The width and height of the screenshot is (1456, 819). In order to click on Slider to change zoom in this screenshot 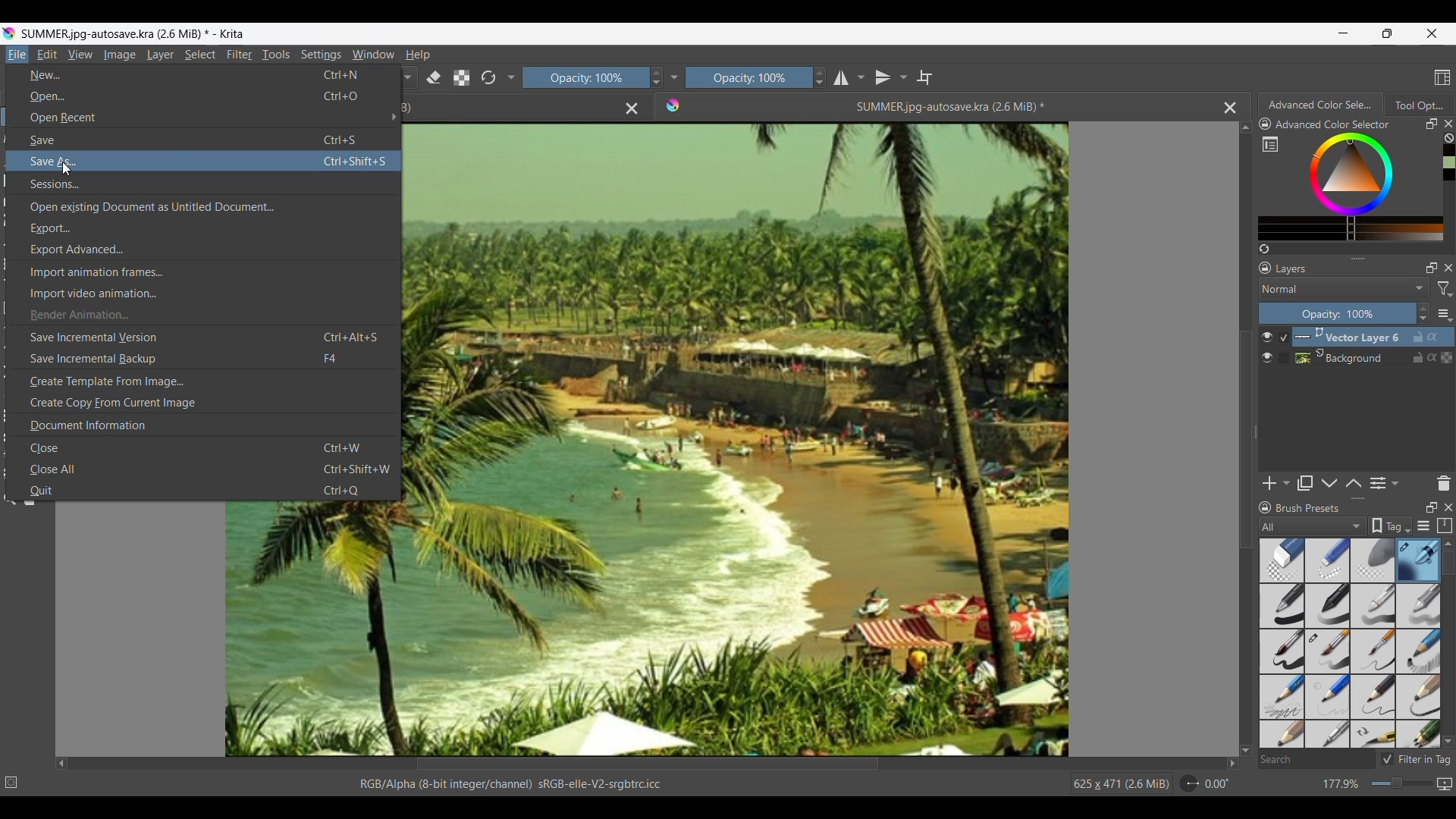, I will do `click(1401, 783)`.